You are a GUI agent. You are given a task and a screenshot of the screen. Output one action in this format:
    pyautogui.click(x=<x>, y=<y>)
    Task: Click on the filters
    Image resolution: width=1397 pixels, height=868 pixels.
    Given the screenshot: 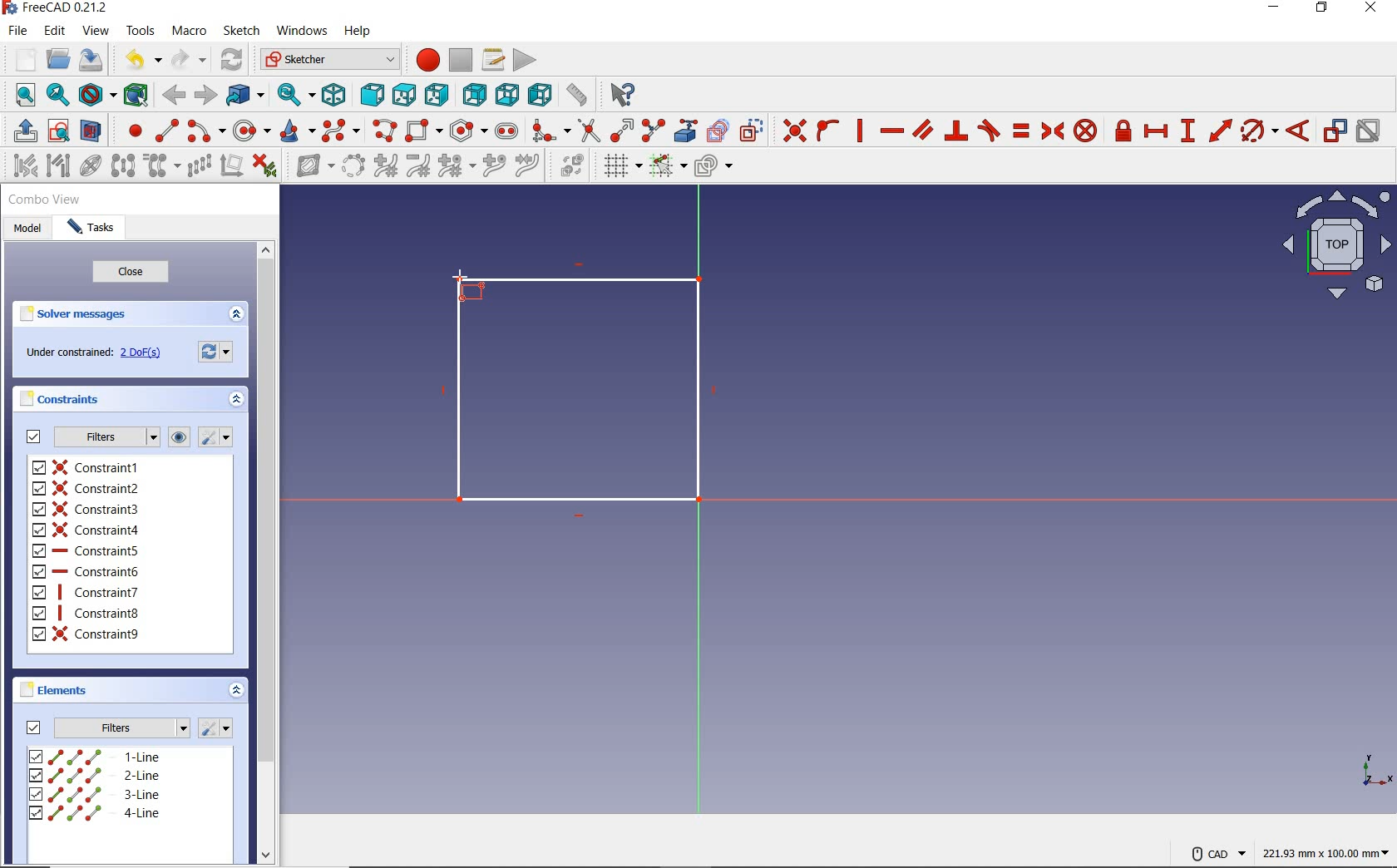 What is the action you would take?
    pyautogui.click(x=91, y=438)
    